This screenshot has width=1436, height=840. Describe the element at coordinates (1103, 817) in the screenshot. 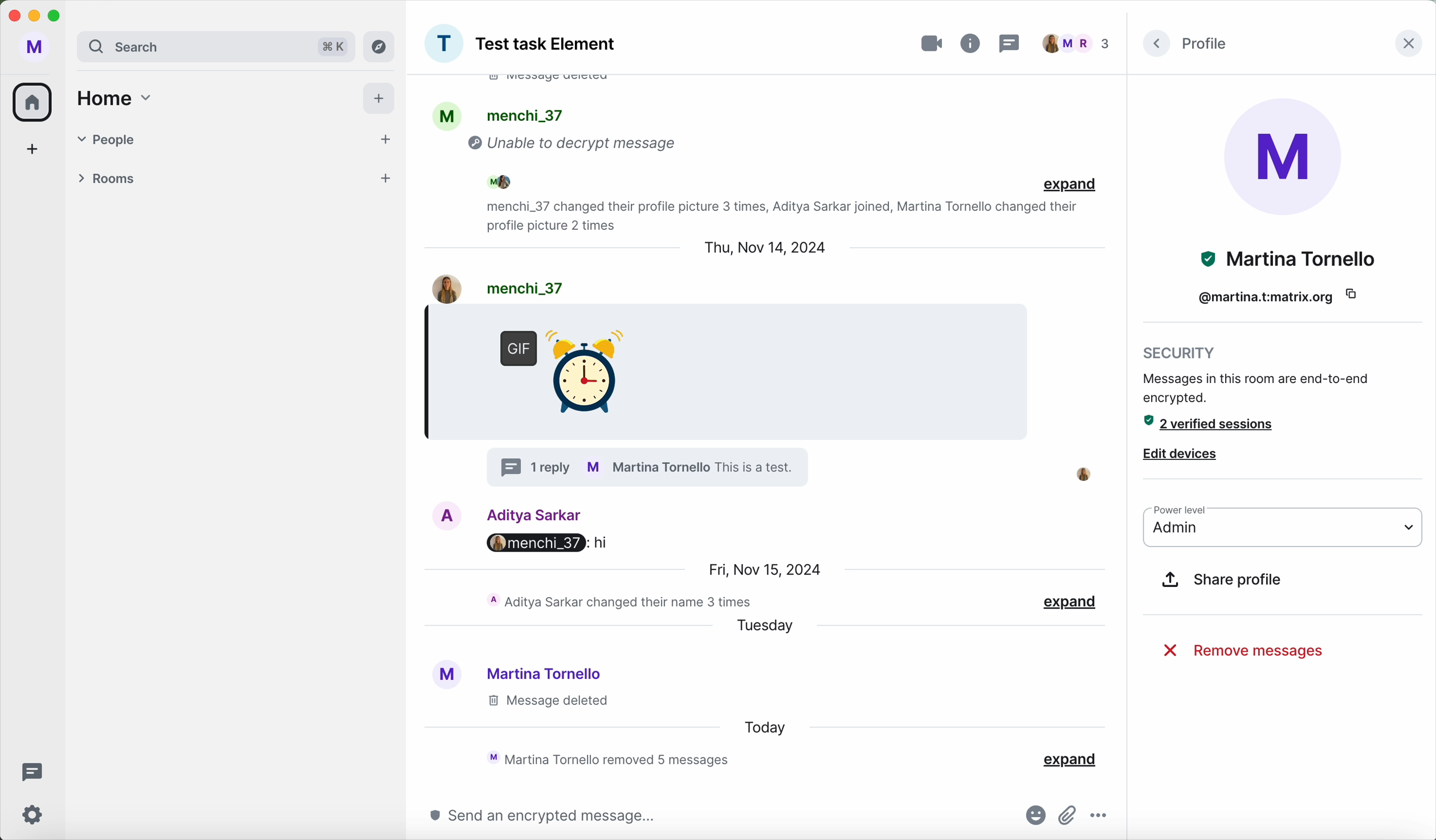

I see `more options` at that location.